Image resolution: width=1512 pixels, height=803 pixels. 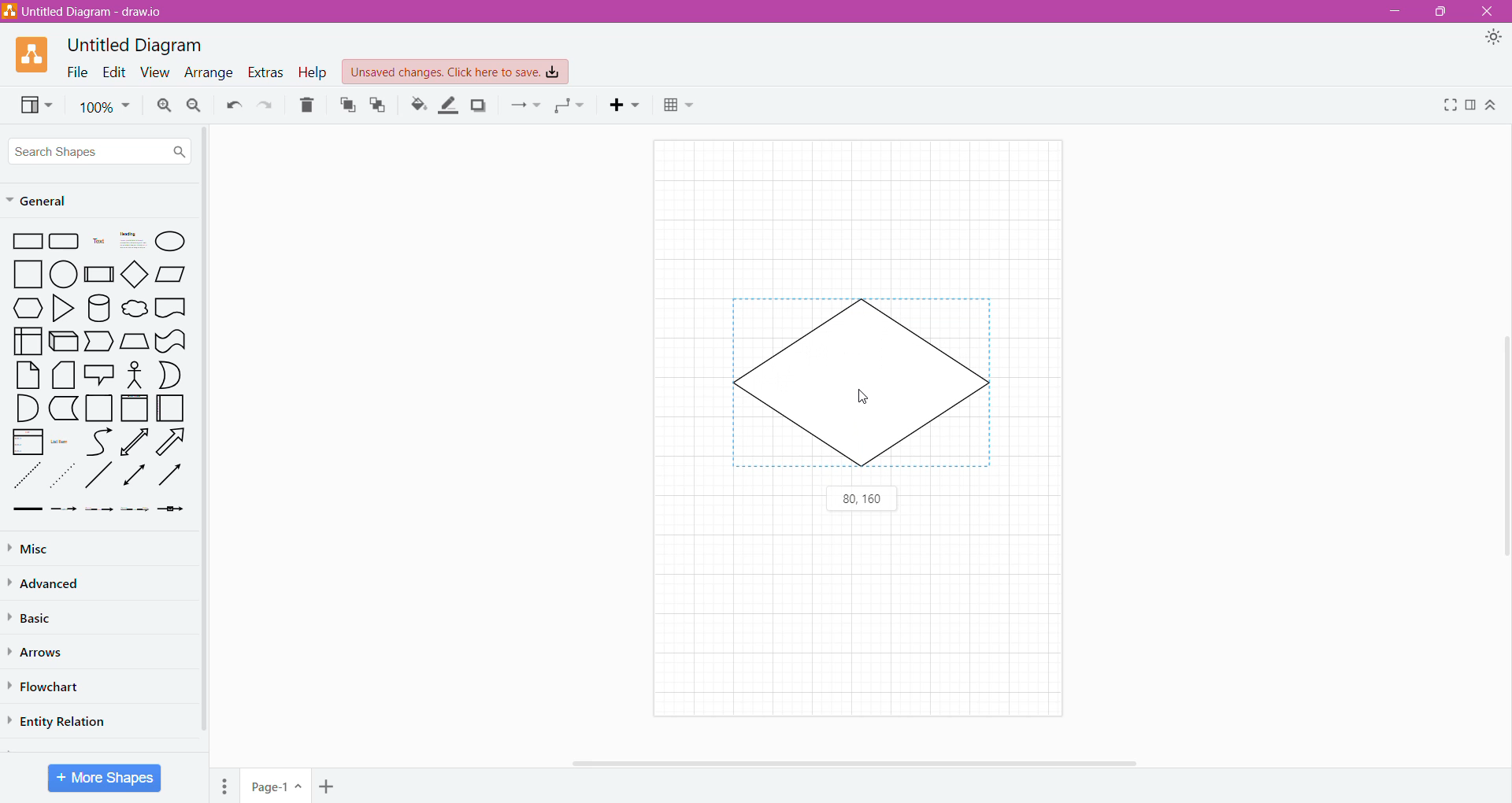 I want to click on FullScreen, so click(x=1447, y=105).